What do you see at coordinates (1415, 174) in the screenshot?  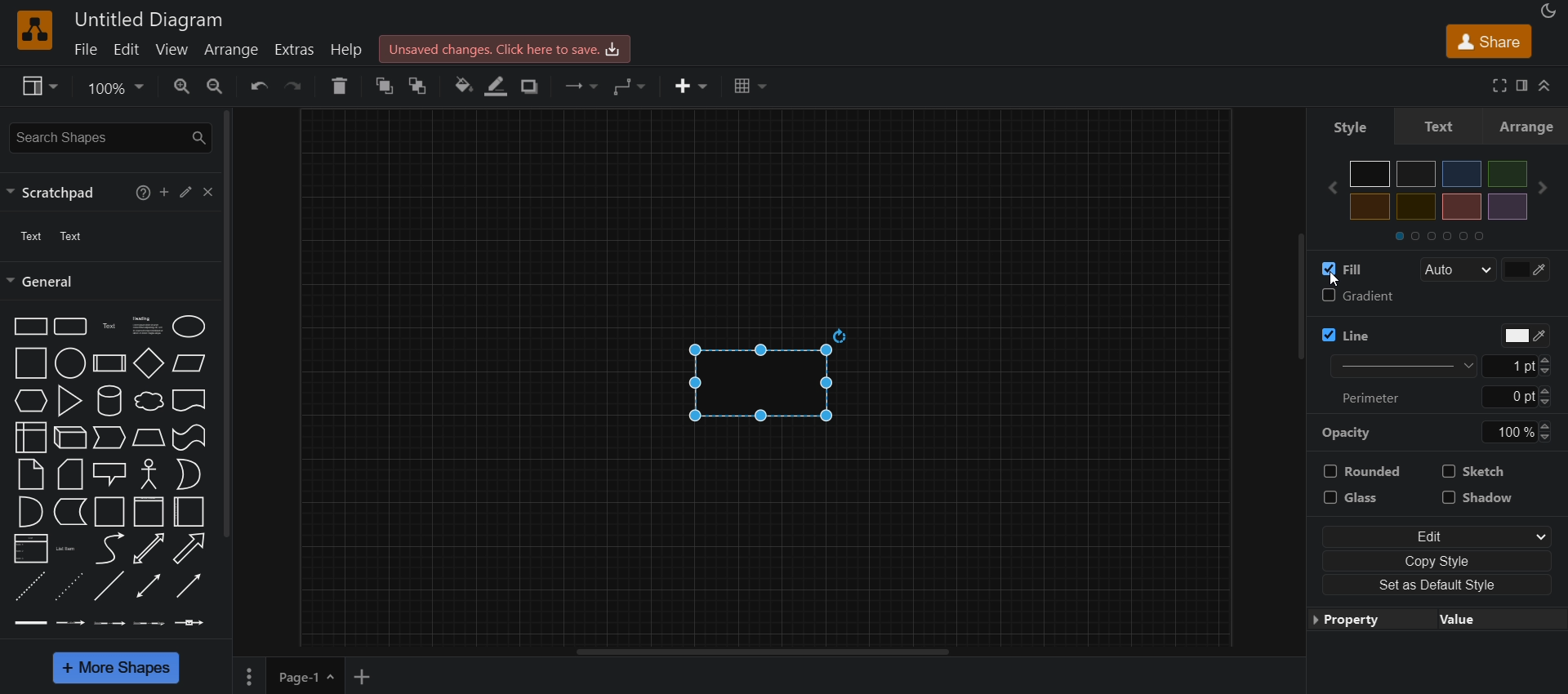 I see `ash` at bounding box center [1415, 174].